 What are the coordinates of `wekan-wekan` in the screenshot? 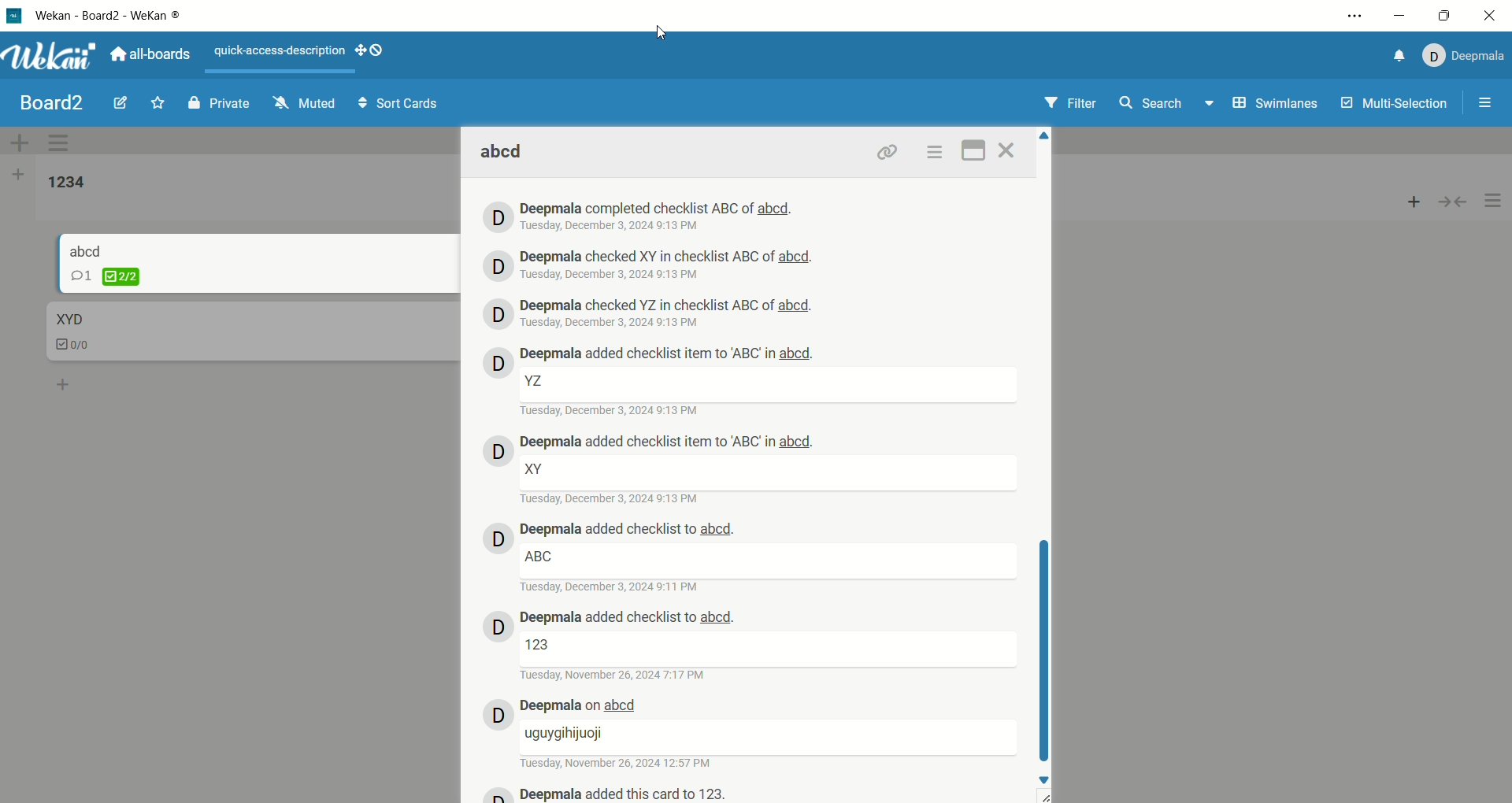 It's located at (108, 17).